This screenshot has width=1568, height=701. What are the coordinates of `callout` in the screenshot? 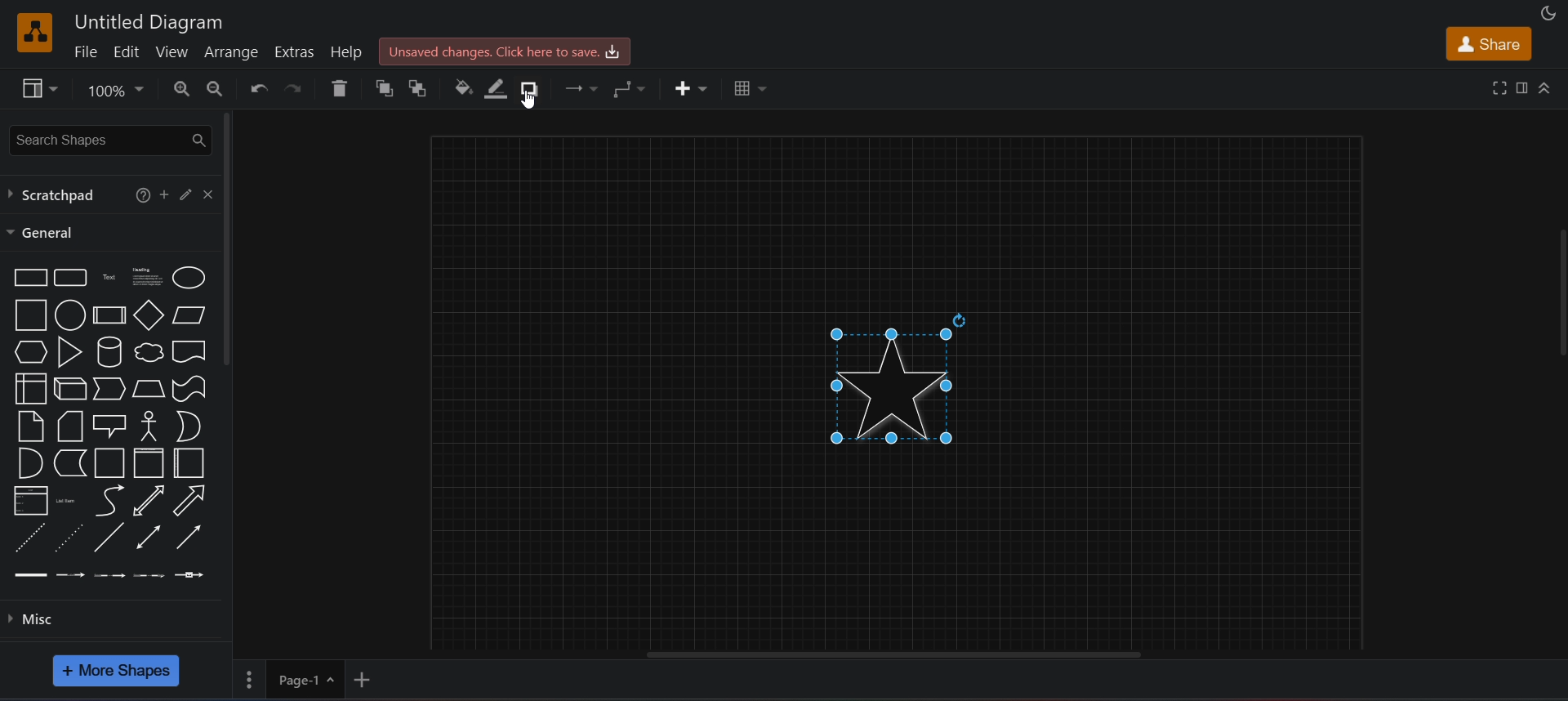 It's located at (109, 426).